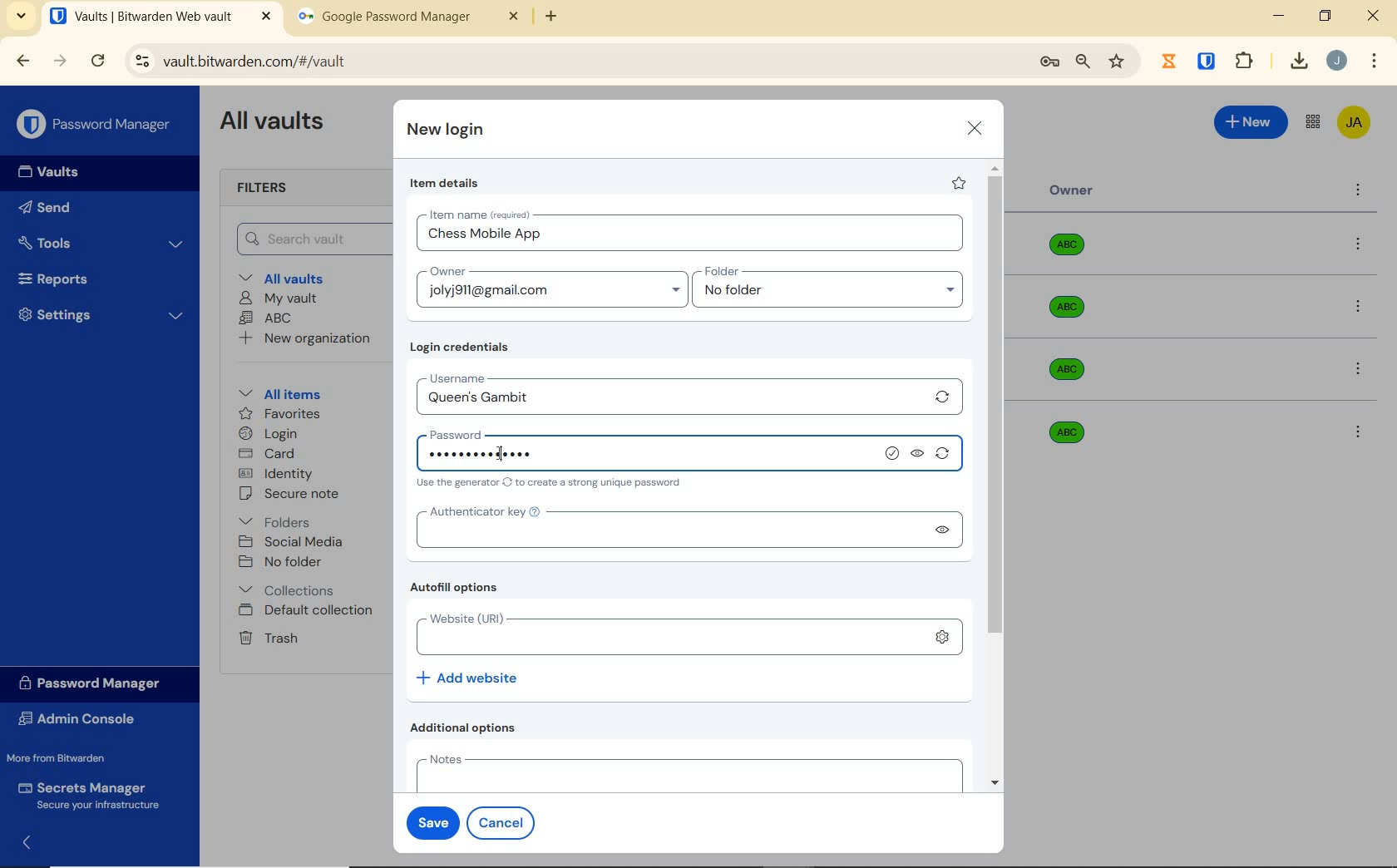  What do you see at coordinates (45, 210) in the screenshot?
I see `Send` at bounding box center [45, 210].